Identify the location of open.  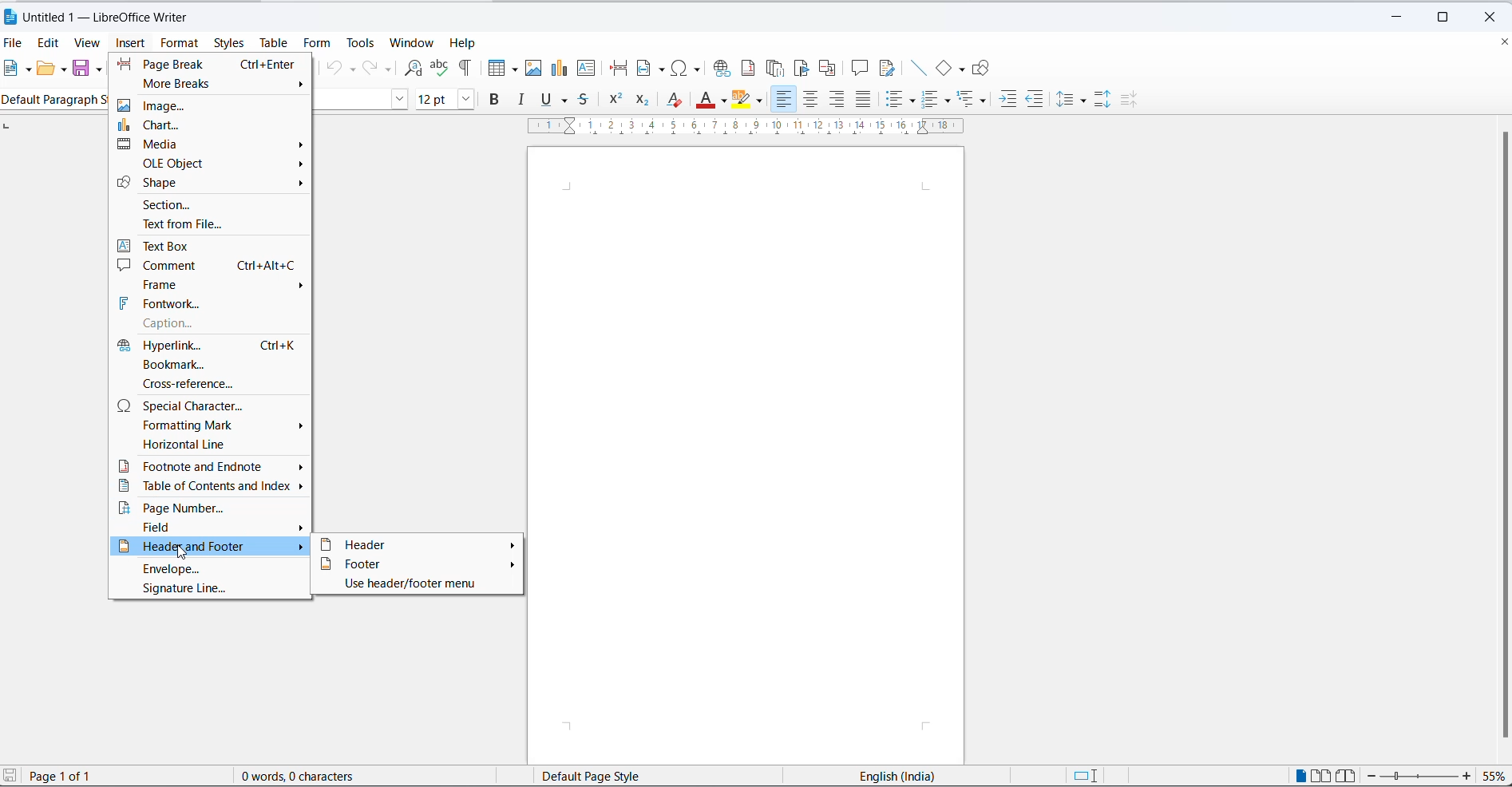
(45, 69).